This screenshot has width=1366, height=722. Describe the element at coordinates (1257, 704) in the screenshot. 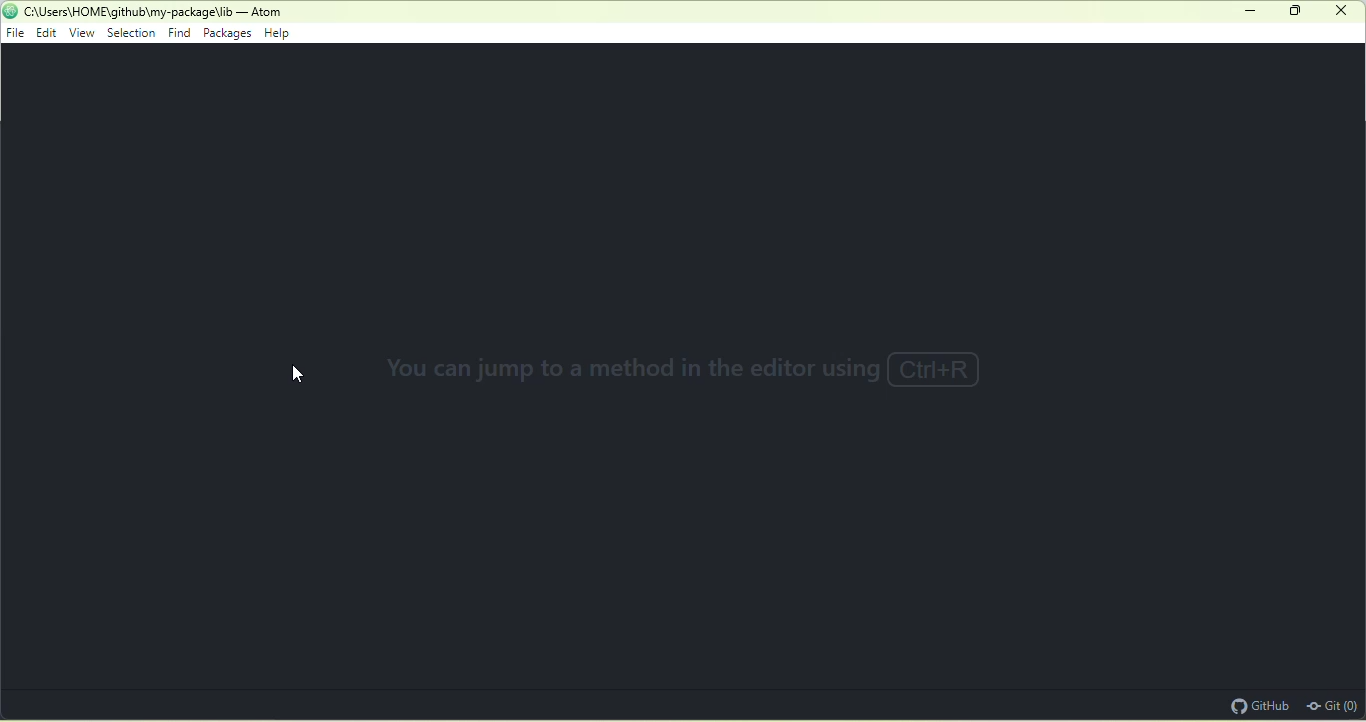

I see `github` at that location.